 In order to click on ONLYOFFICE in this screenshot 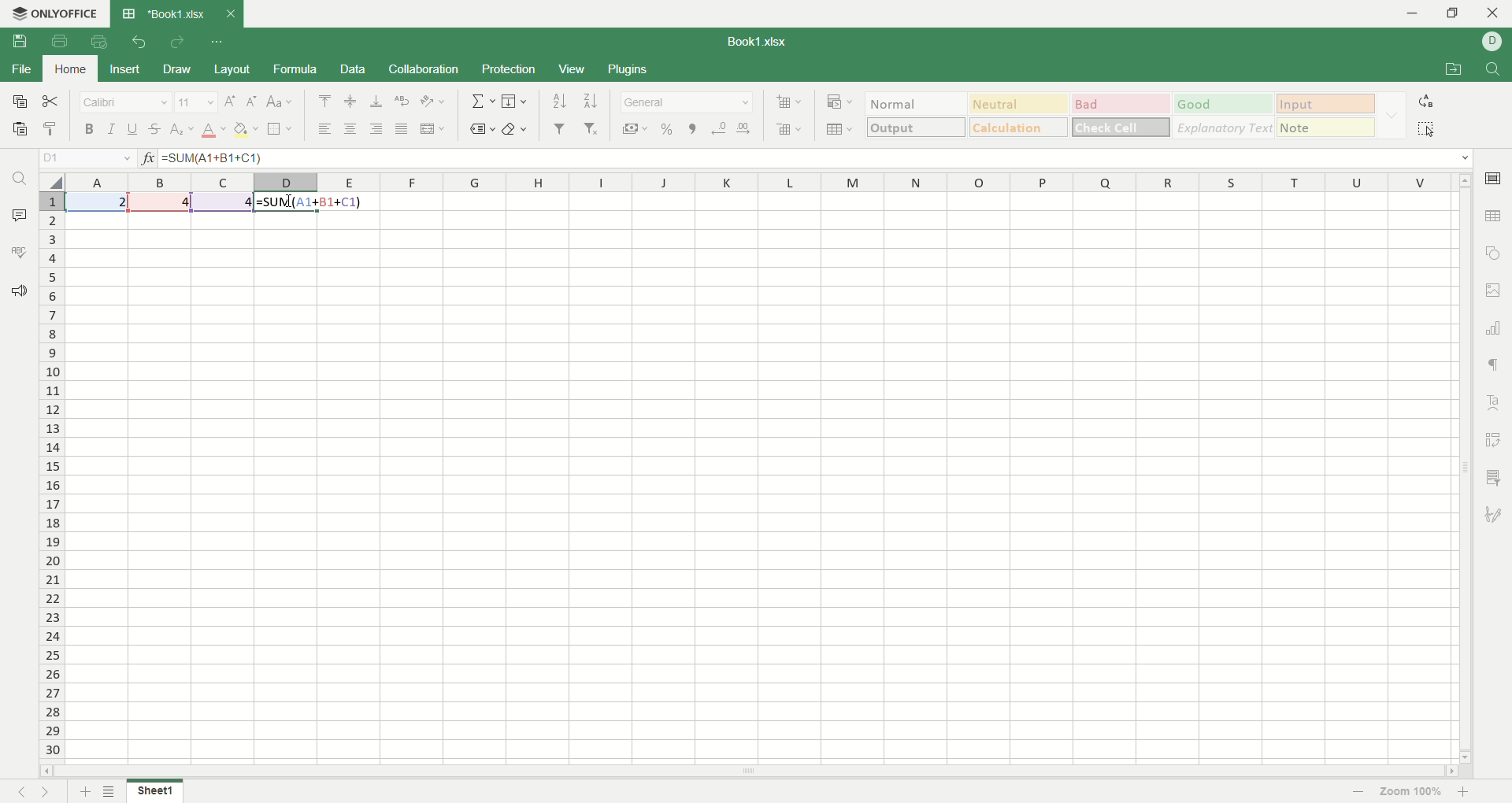, I will do `click(56, 13)`.